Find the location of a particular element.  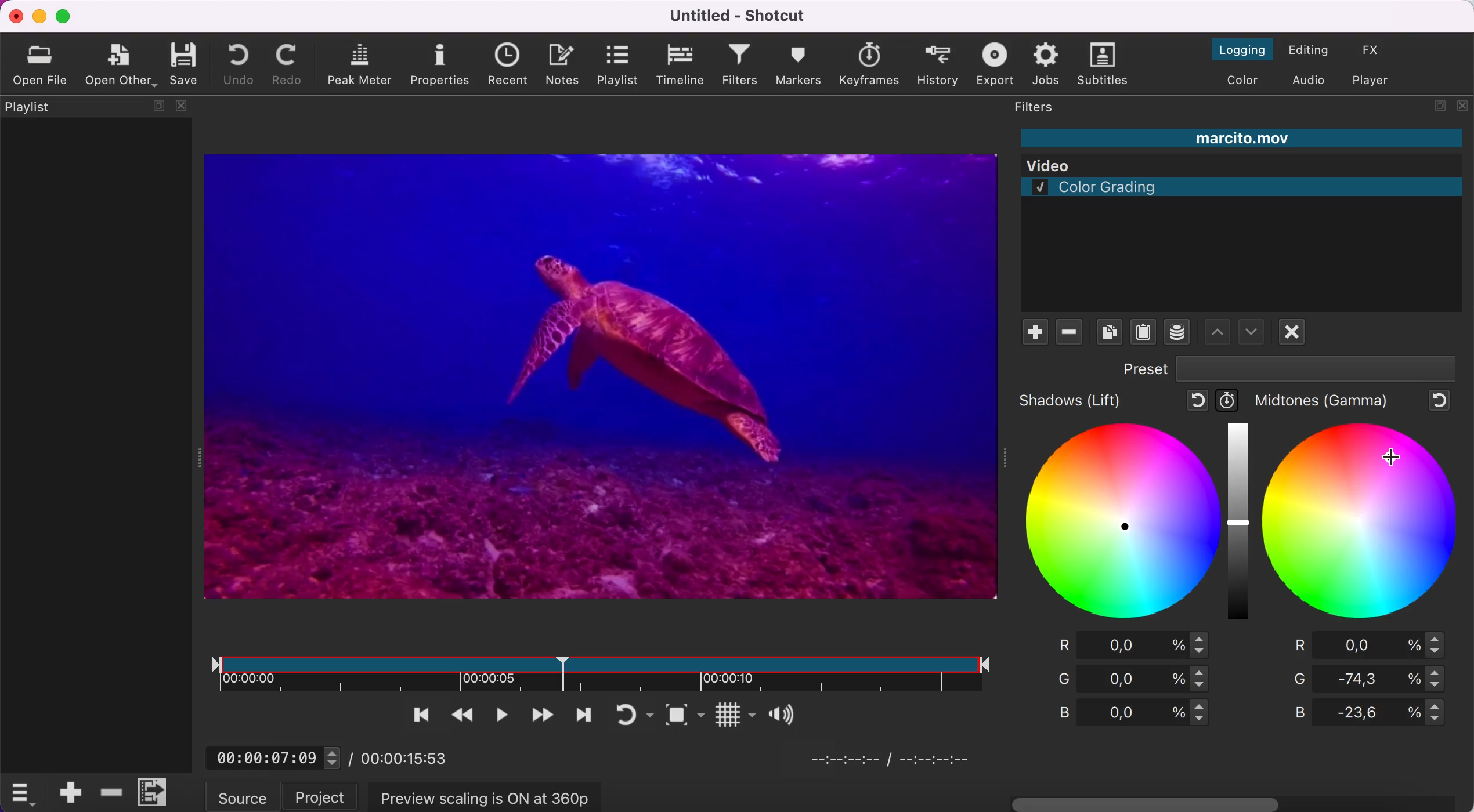

markers is located at coordinates (800, 66).